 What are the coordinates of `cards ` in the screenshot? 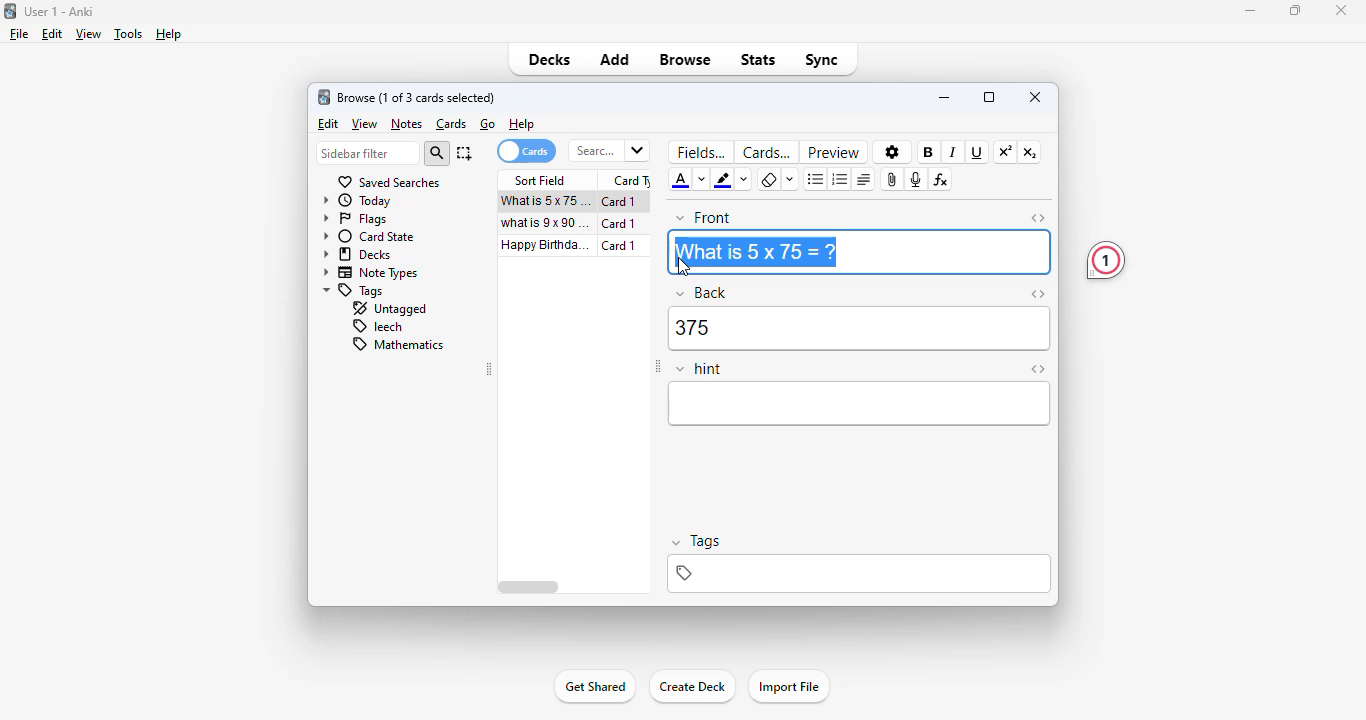 It's located at (766, 153).